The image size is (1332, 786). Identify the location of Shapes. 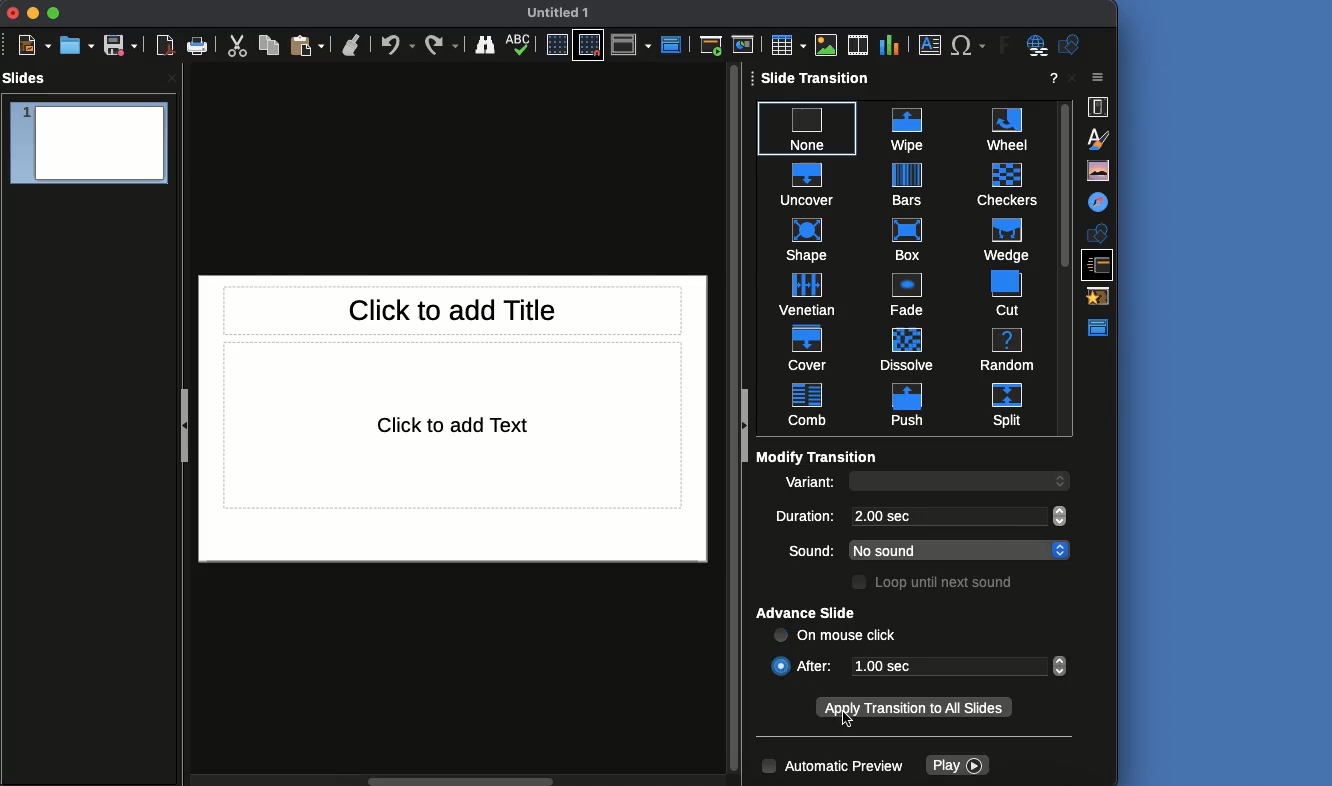
(1097, 232).